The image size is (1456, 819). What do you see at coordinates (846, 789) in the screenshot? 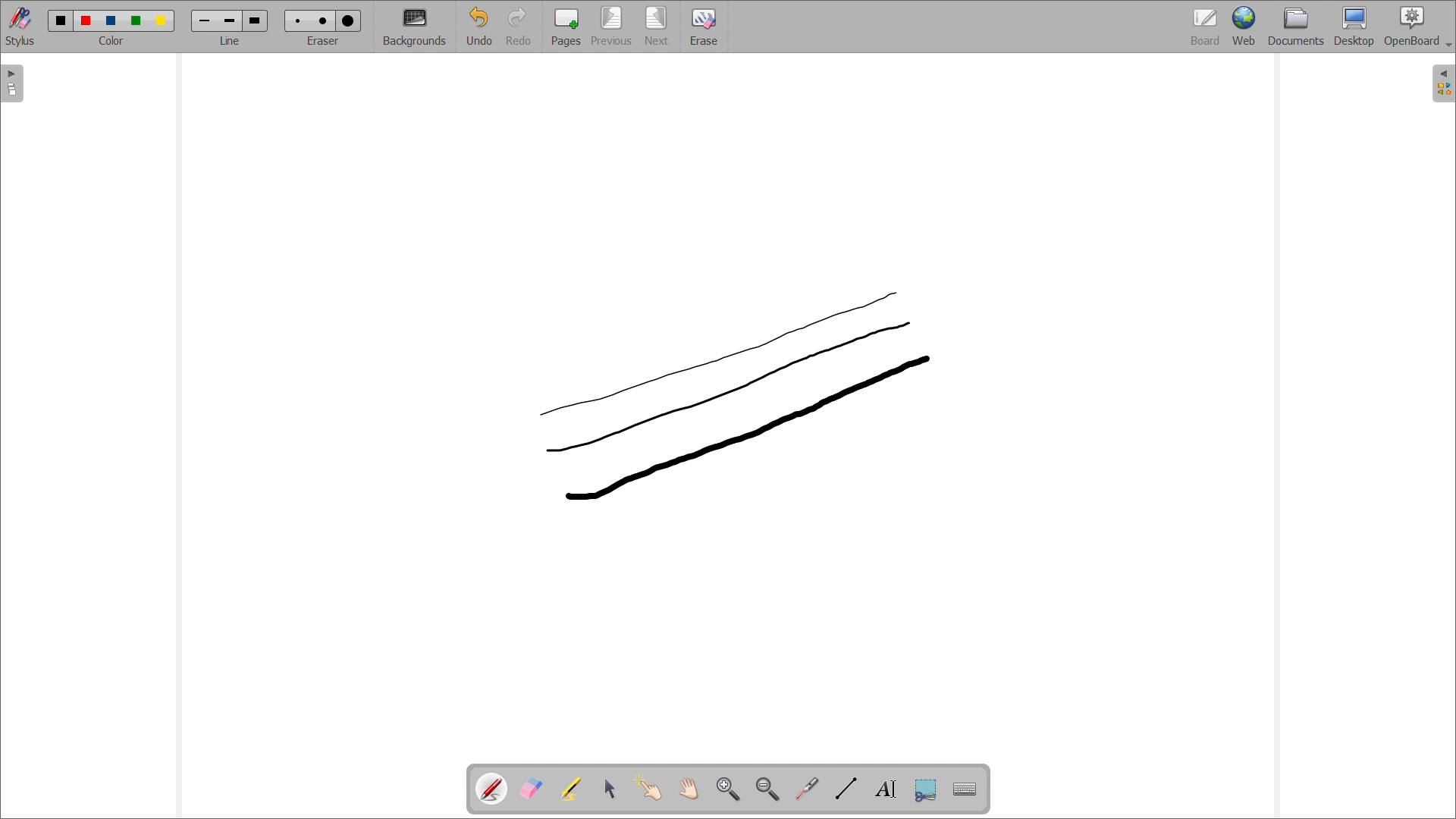
I see `draw lines` at bounding box center [846, 789].